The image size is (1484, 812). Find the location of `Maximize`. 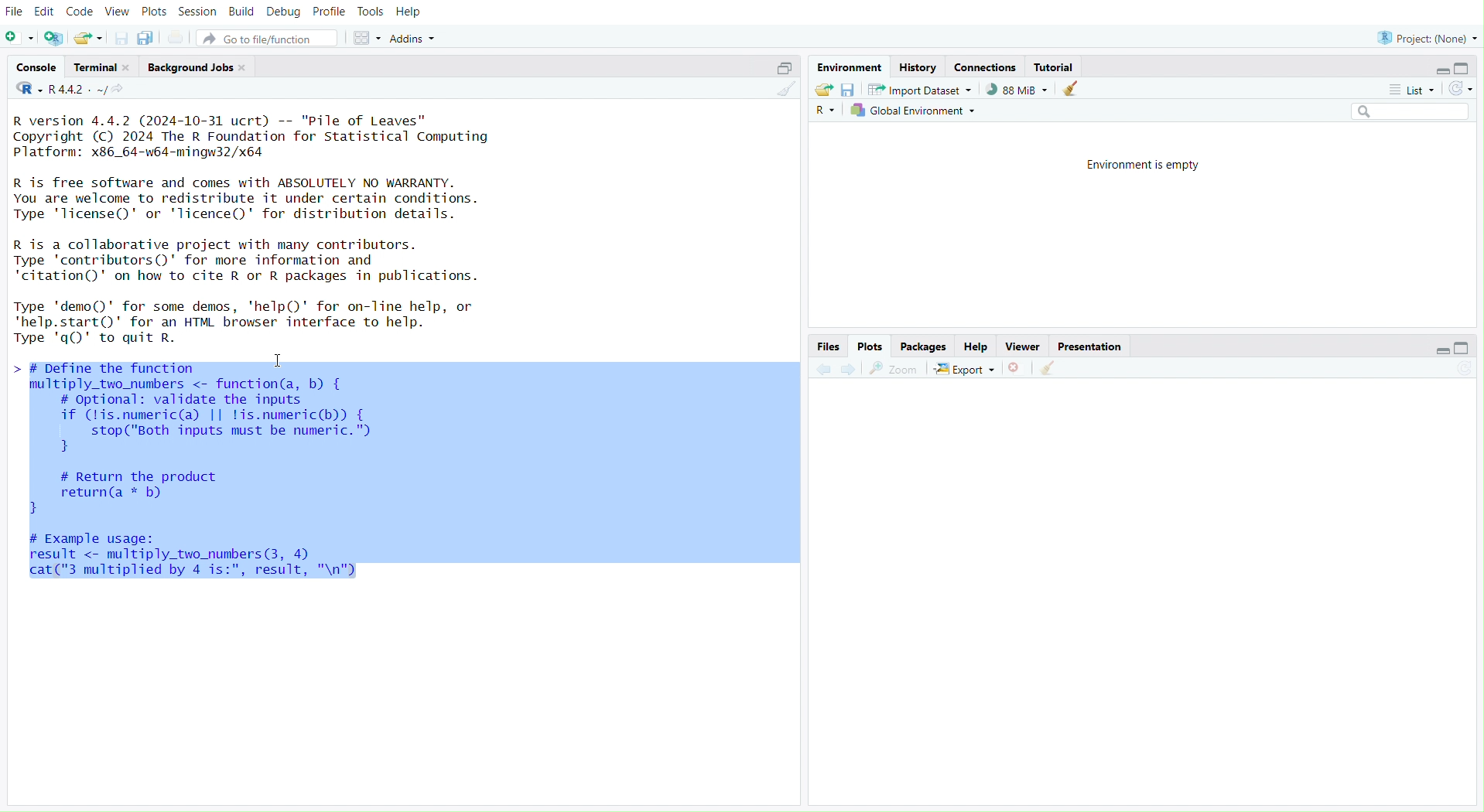

Maximize is located at coordinates (781, 70).